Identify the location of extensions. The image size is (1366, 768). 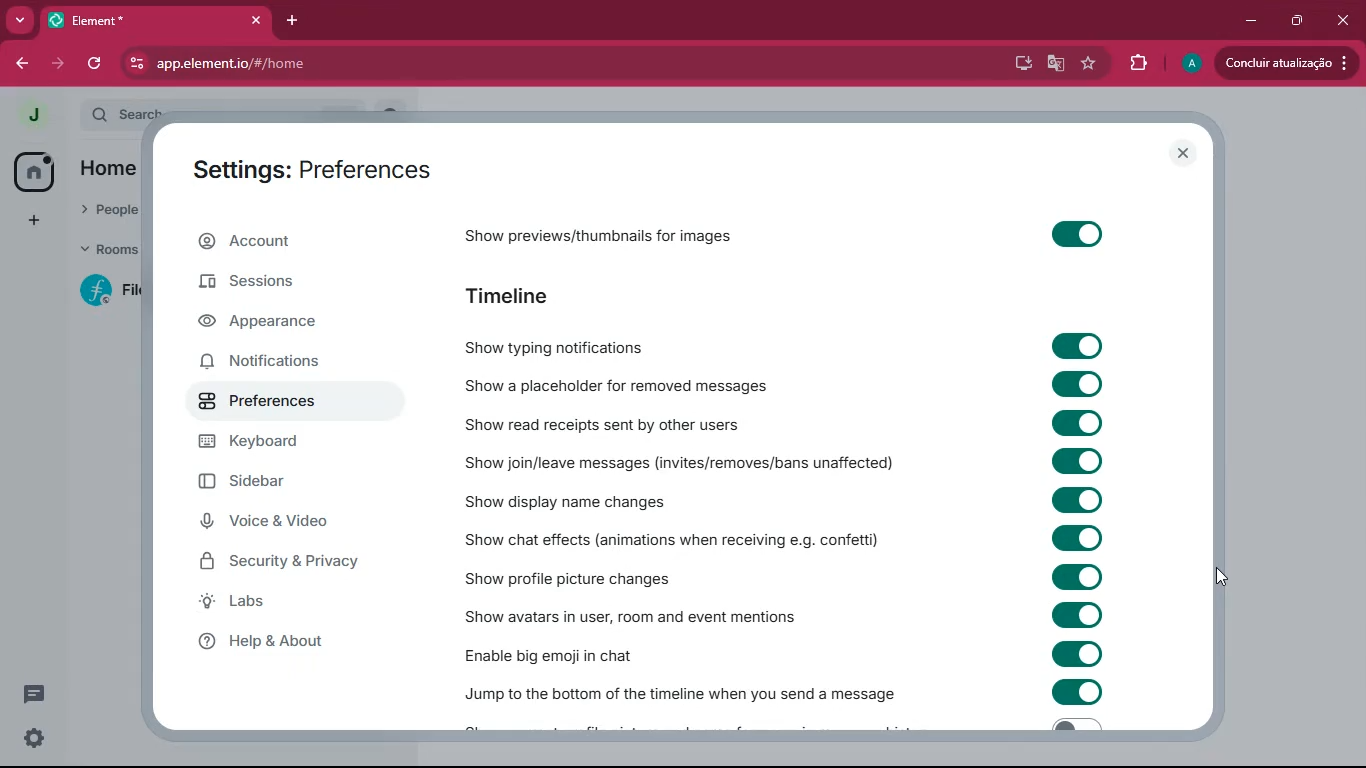
(1137, 61).